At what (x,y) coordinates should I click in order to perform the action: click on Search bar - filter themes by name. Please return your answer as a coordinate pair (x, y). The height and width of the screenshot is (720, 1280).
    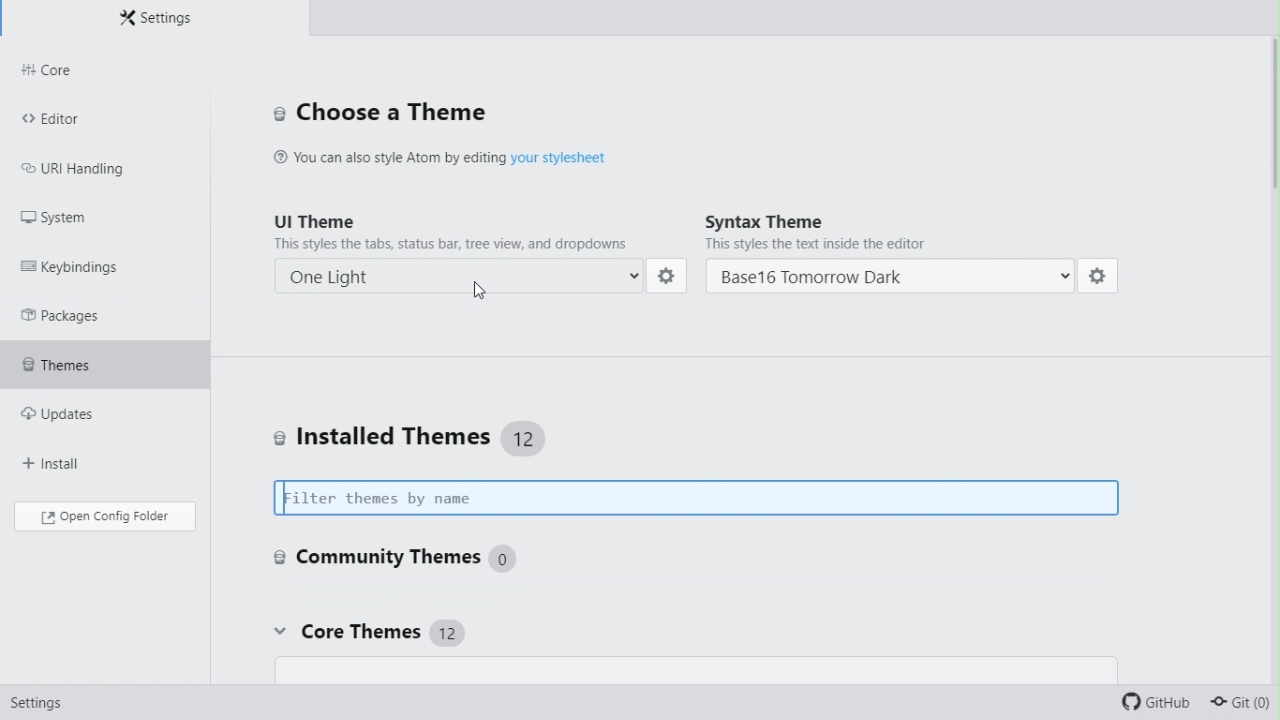
    Looking at the image, I should click on (703, 499).